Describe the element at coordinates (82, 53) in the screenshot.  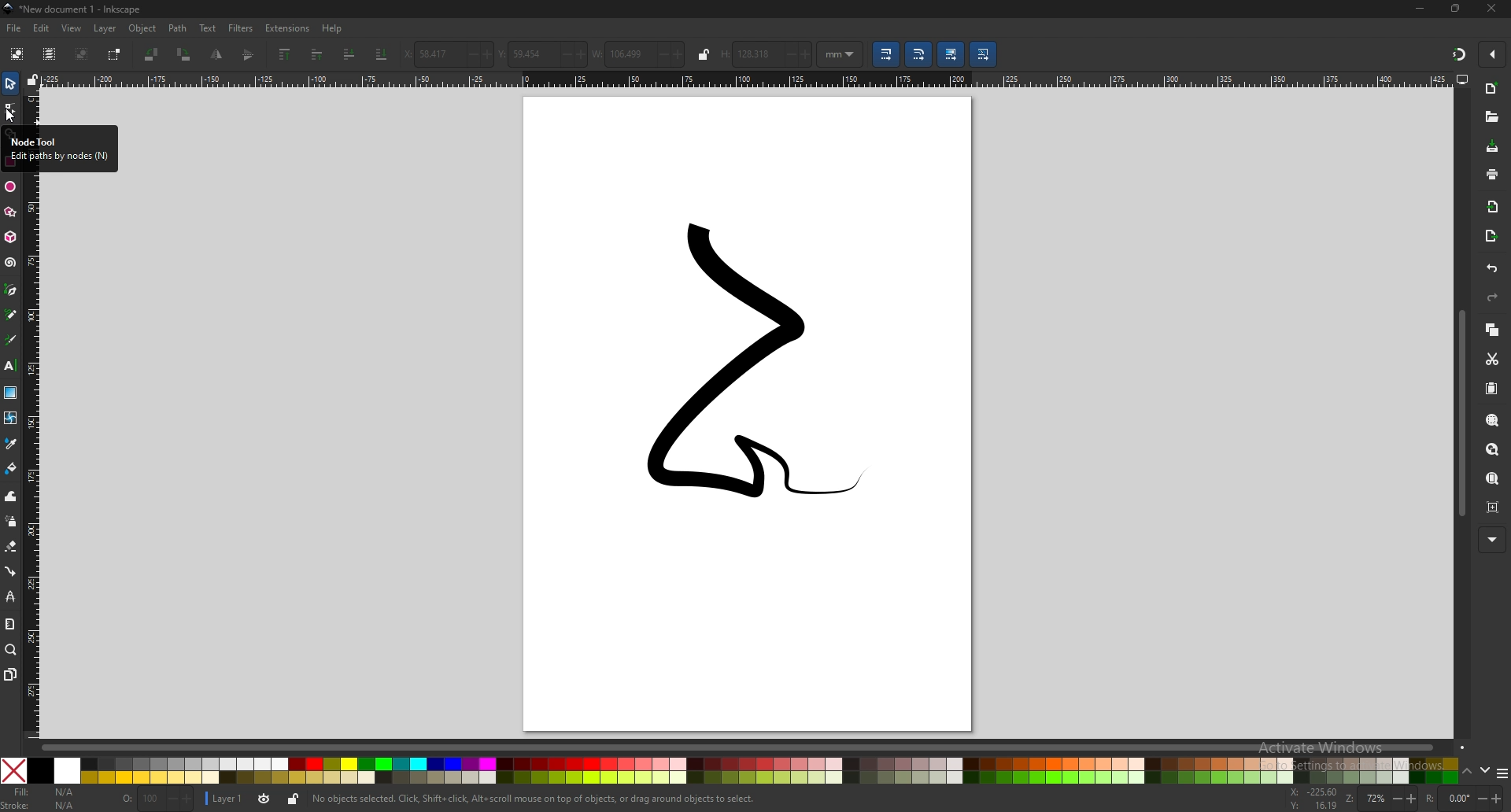
I see `deselect` at that location.